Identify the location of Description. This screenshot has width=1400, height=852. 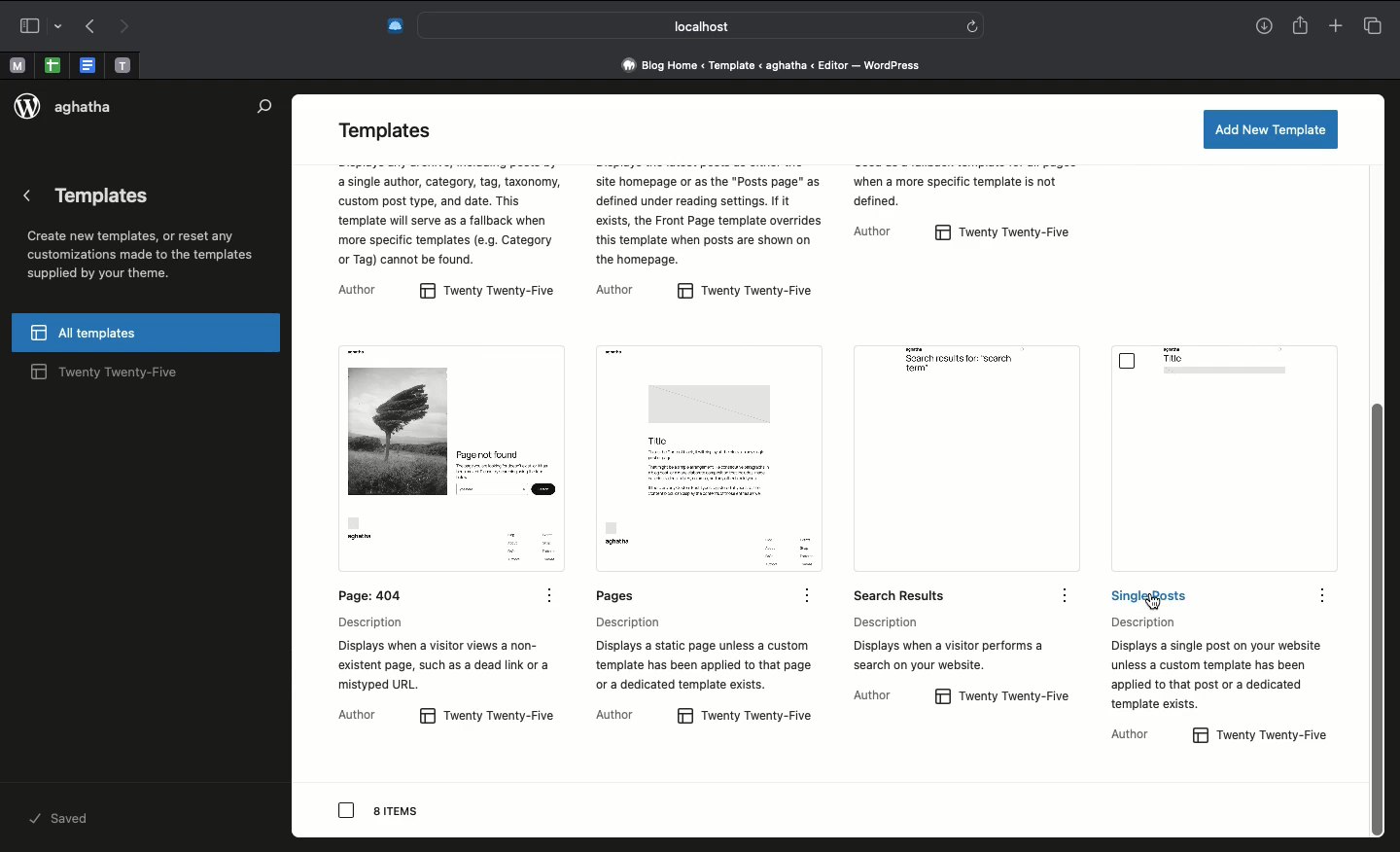
(1215, 664).